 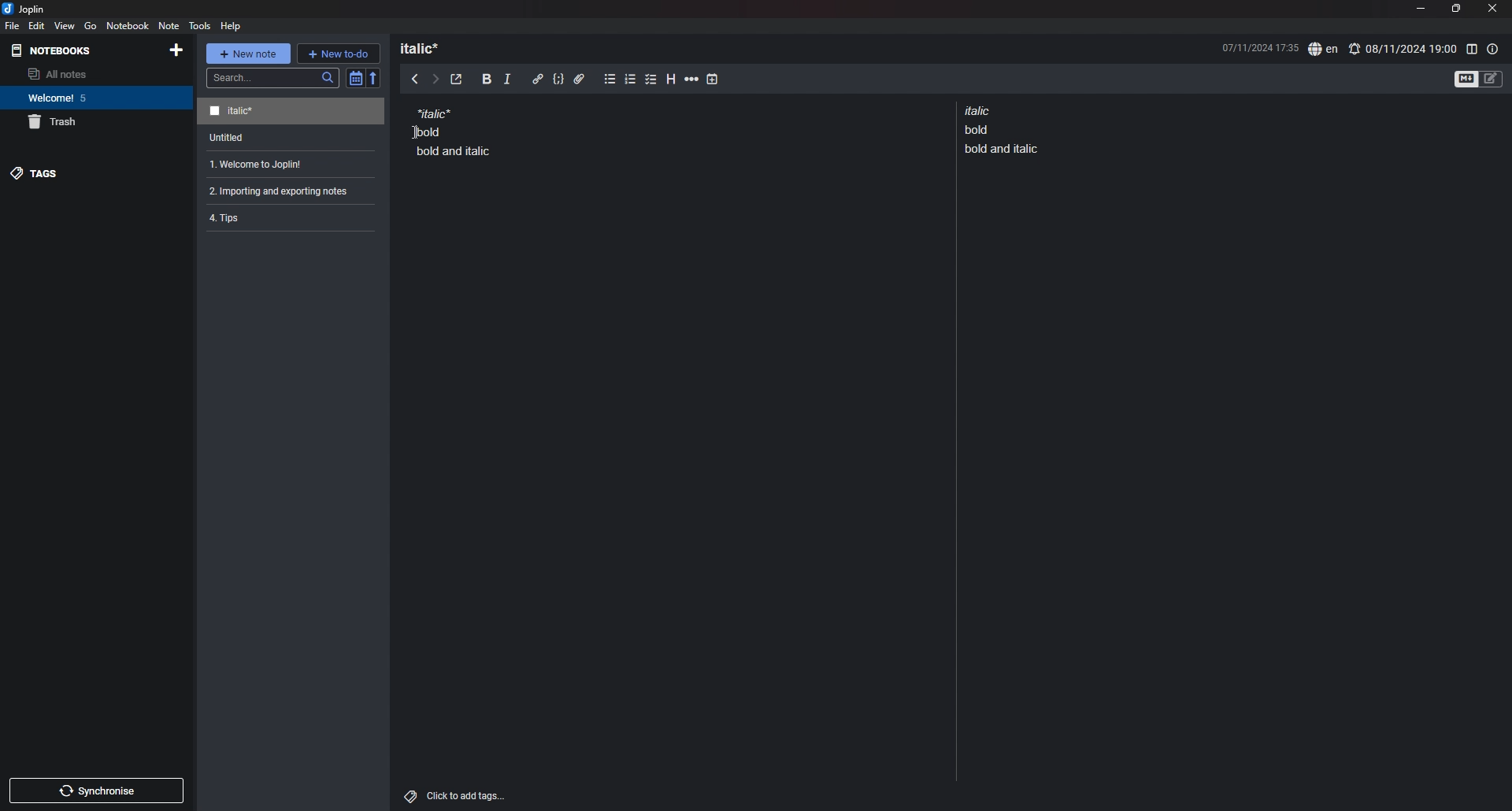 What do you see at coordinates (291, 112) in the screenshot?
I see `note` at bounding box center [291, 112].